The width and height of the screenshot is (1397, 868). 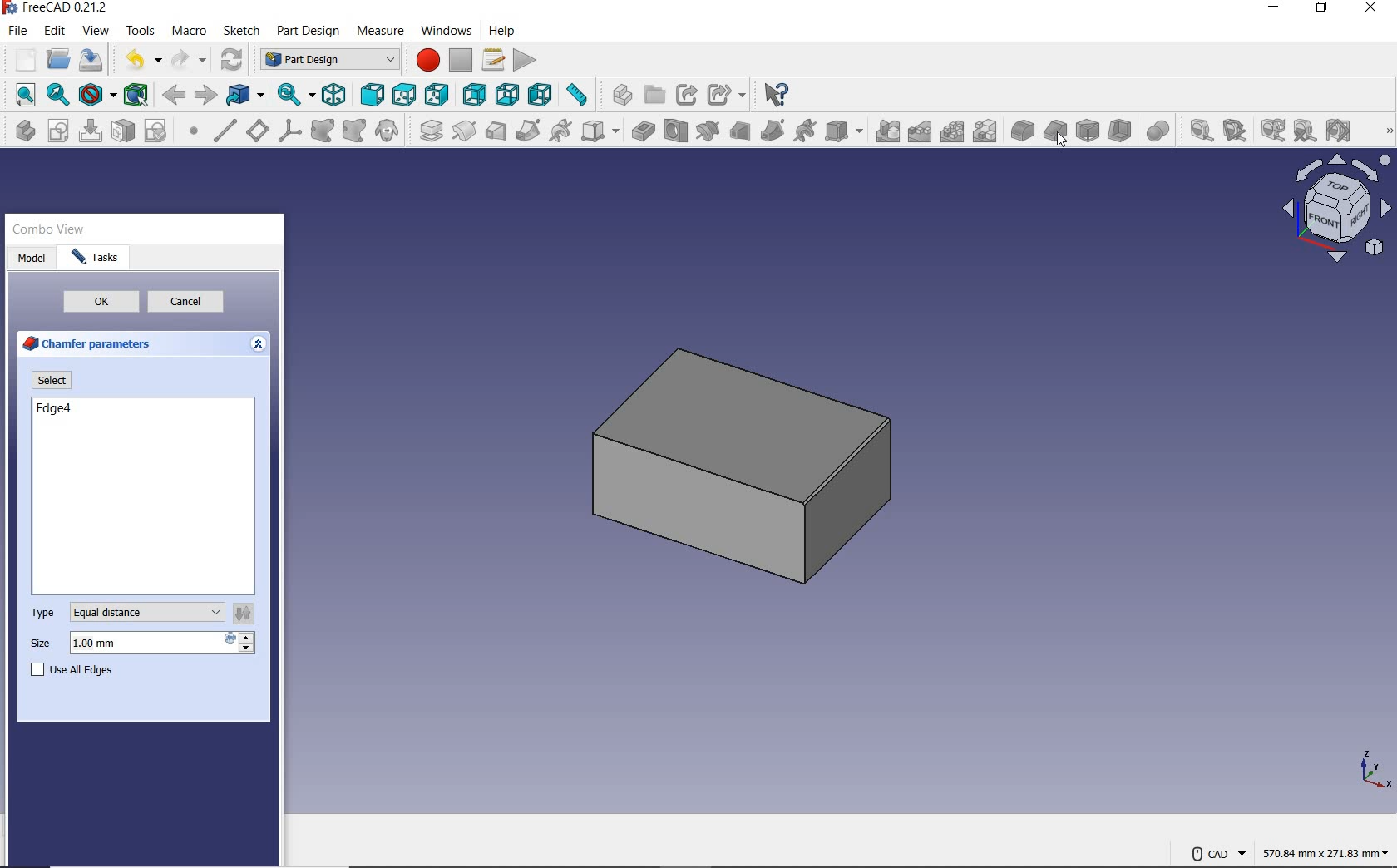 What do you see at coordinates (49, 230) in the screenshot?
I see `combo view` at bounding box center [49, 230].